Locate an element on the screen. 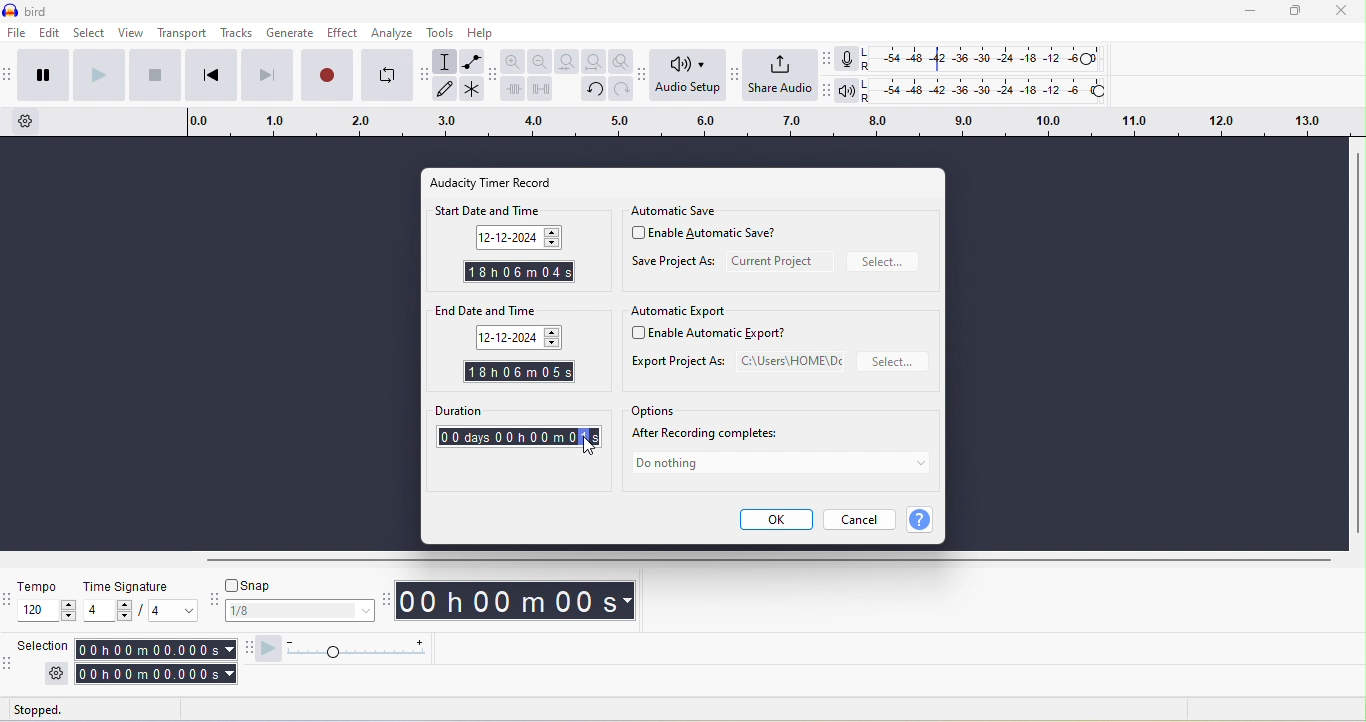 The image size is (1366, 722). record/record new track is located at coordinates (325, 75).